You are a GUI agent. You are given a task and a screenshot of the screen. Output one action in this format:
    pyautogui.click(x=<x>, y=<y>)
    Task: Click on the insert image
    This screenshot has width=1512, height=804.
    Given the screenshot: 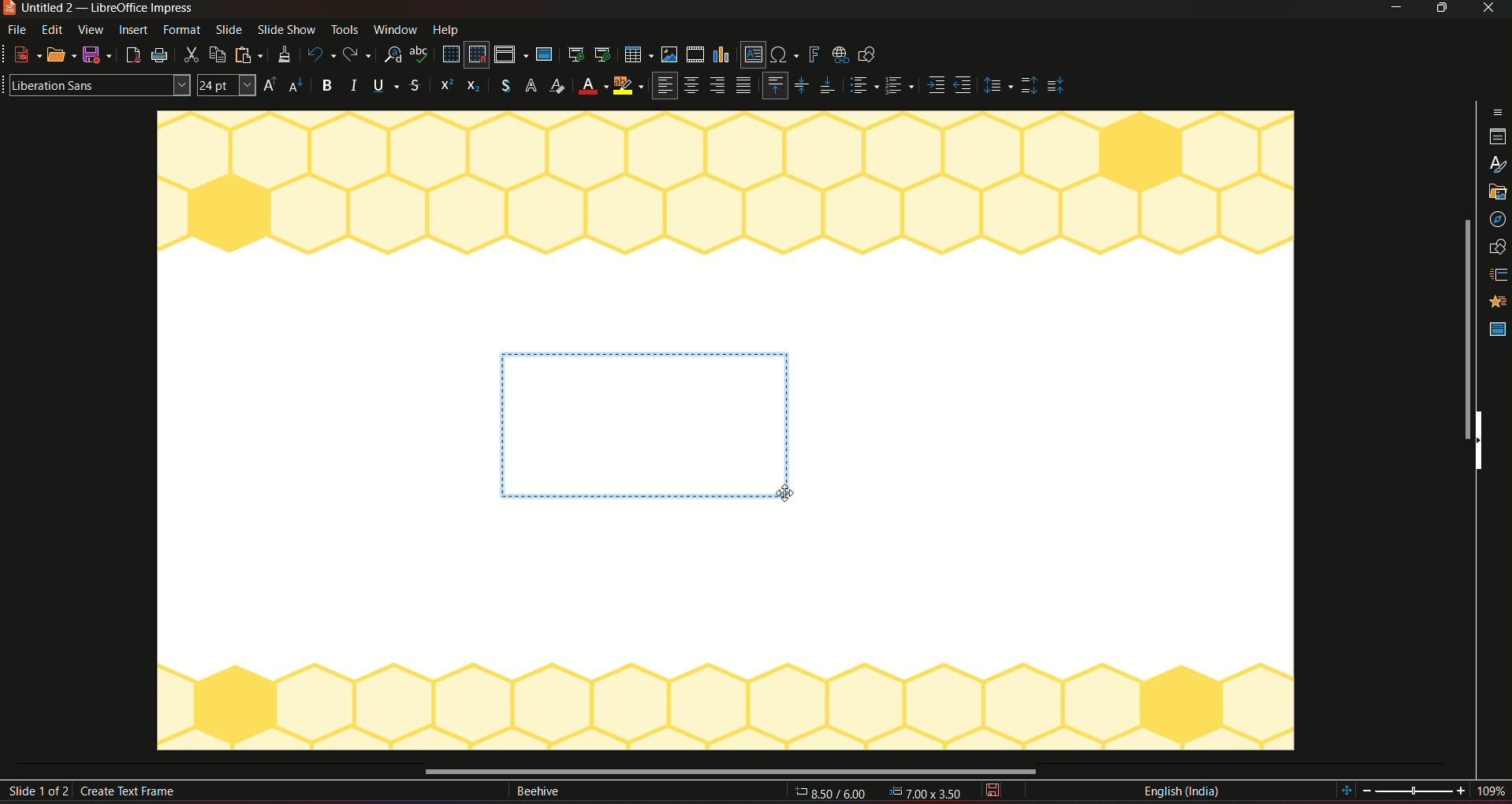 What is the action you would take?
    pyautogui.click(x=668, y=54)
    